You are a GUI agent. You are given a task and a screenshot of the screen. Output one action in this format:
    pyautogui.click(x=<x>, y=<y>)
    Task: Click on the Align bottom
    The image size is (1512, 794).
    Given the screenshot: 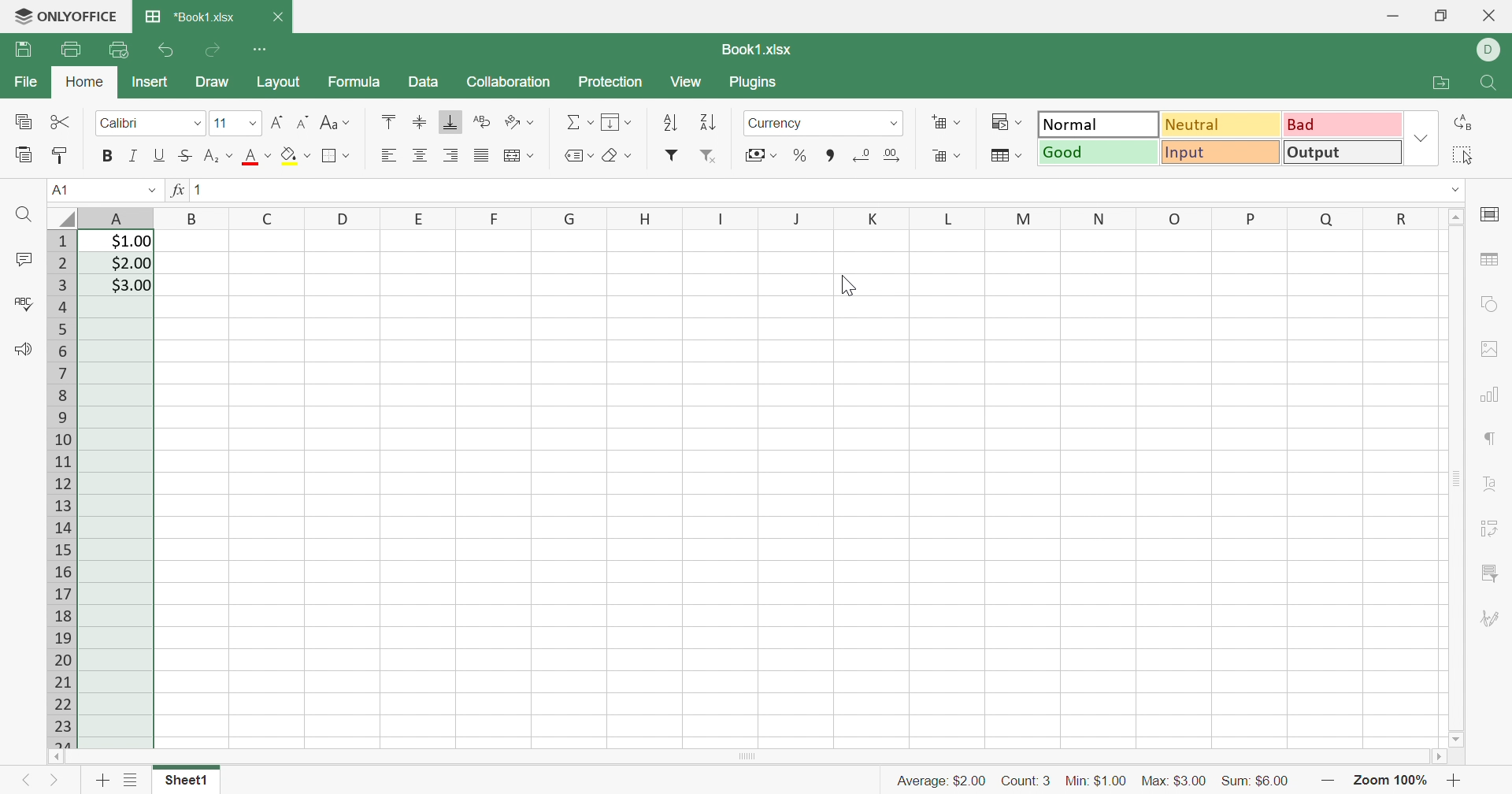 What is the action you would take?
    pyautogui.click(x=448, y=121)
    